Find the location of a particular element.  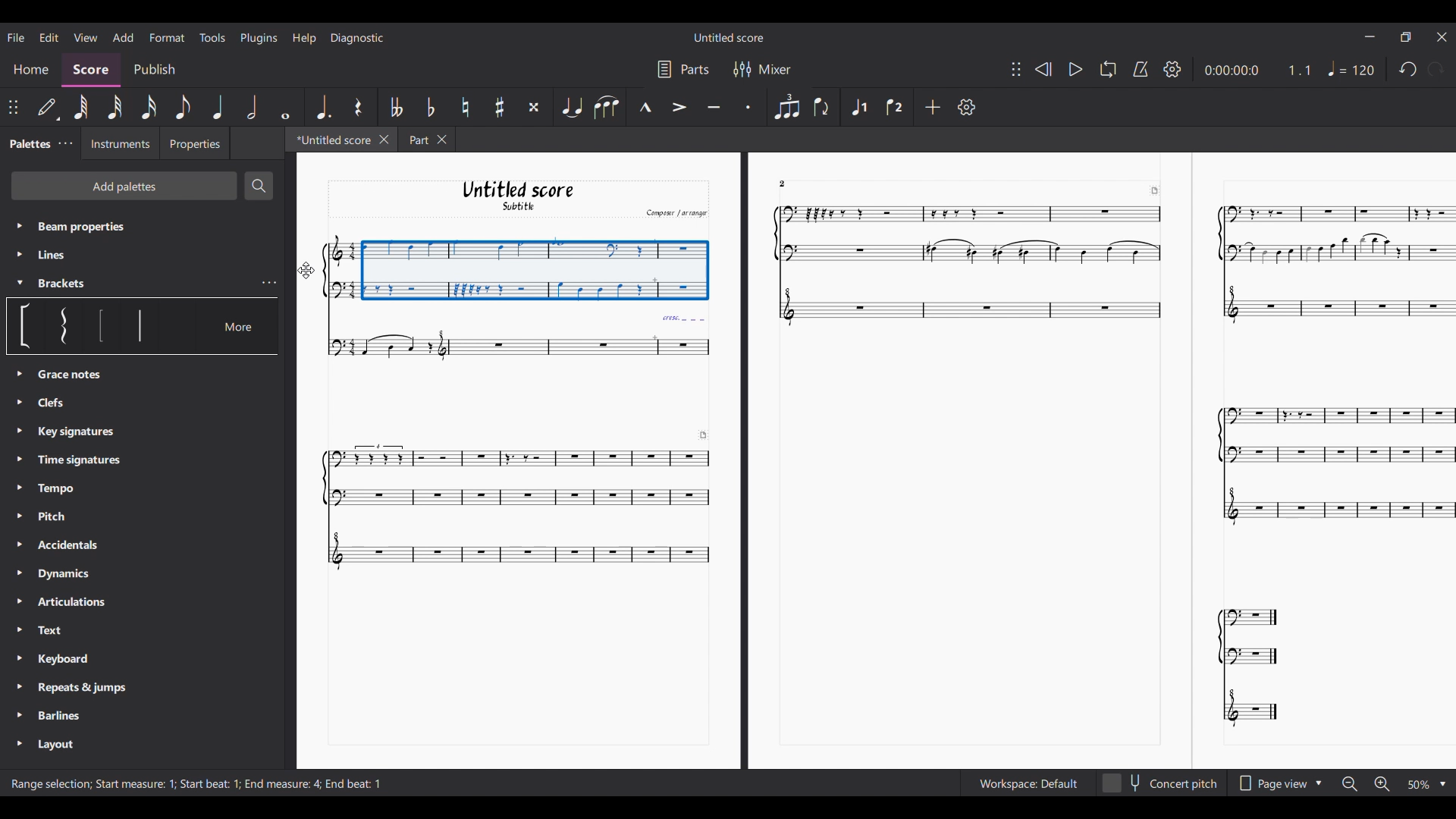

64th note is located at coordinates (83, 108).